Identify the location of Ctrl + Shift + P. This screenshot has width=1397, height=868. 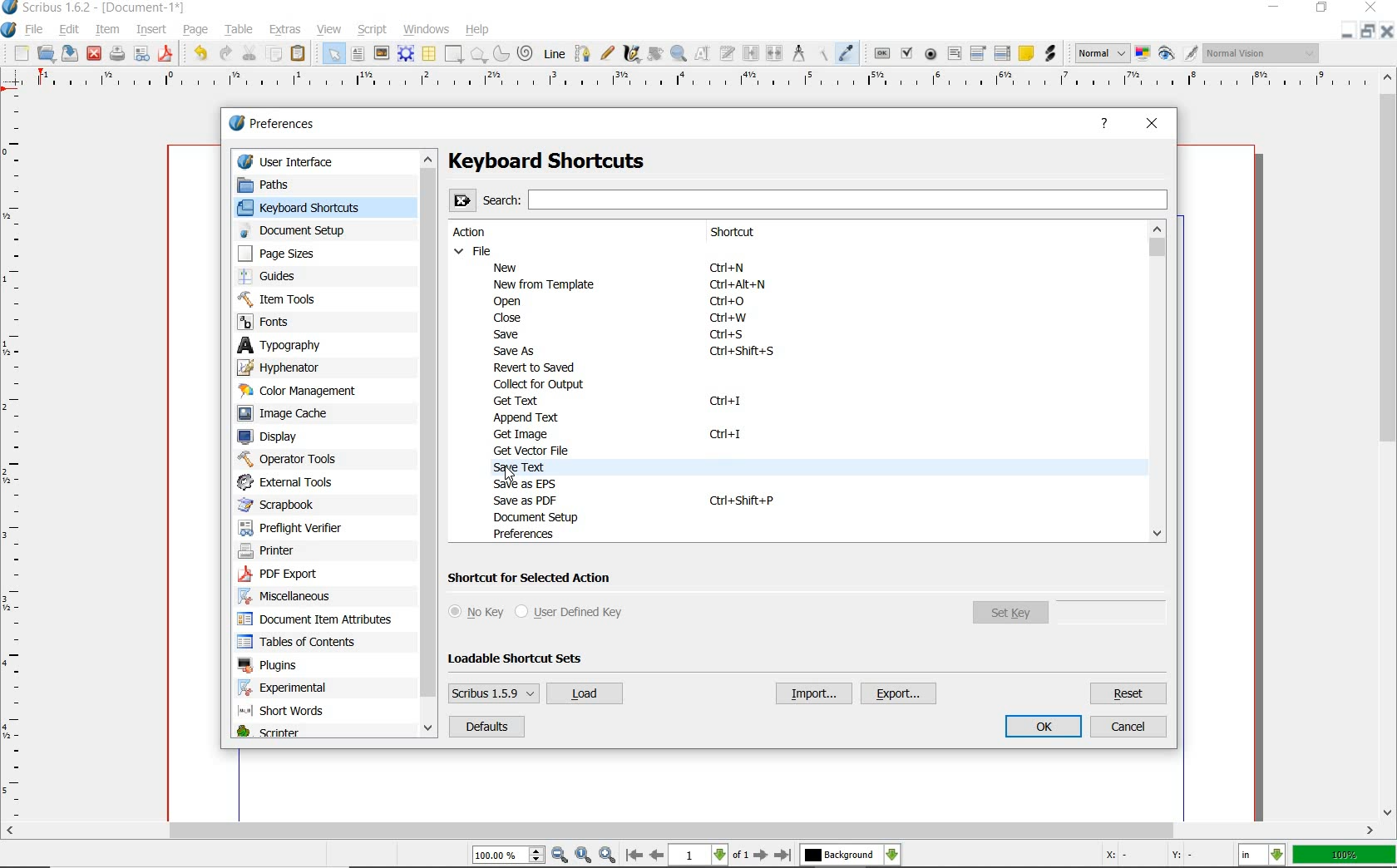
(741, 500).